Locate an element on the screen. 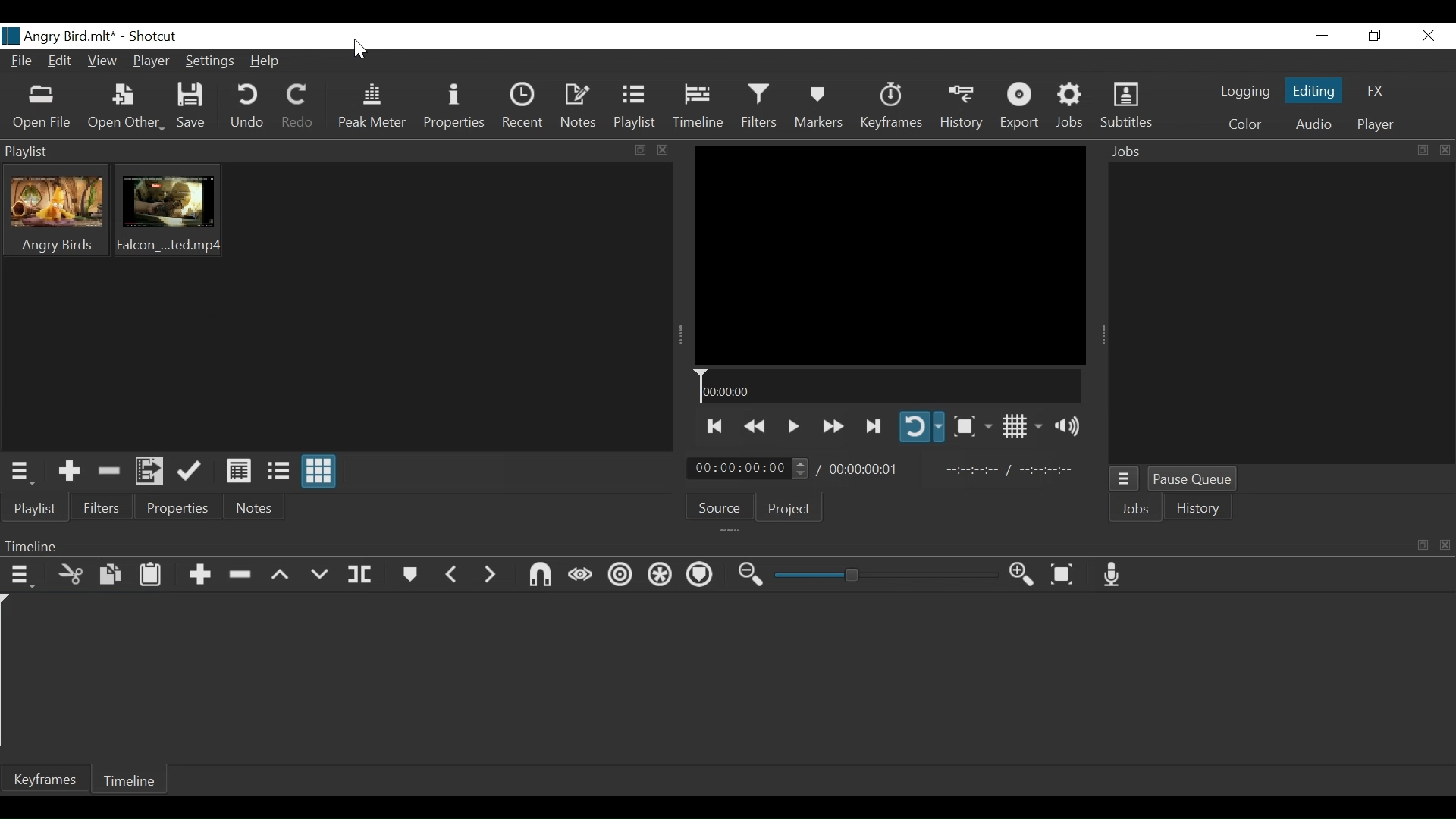 This screenshot has height=819, width=1456. Markers is located at coordinates (410, 575).